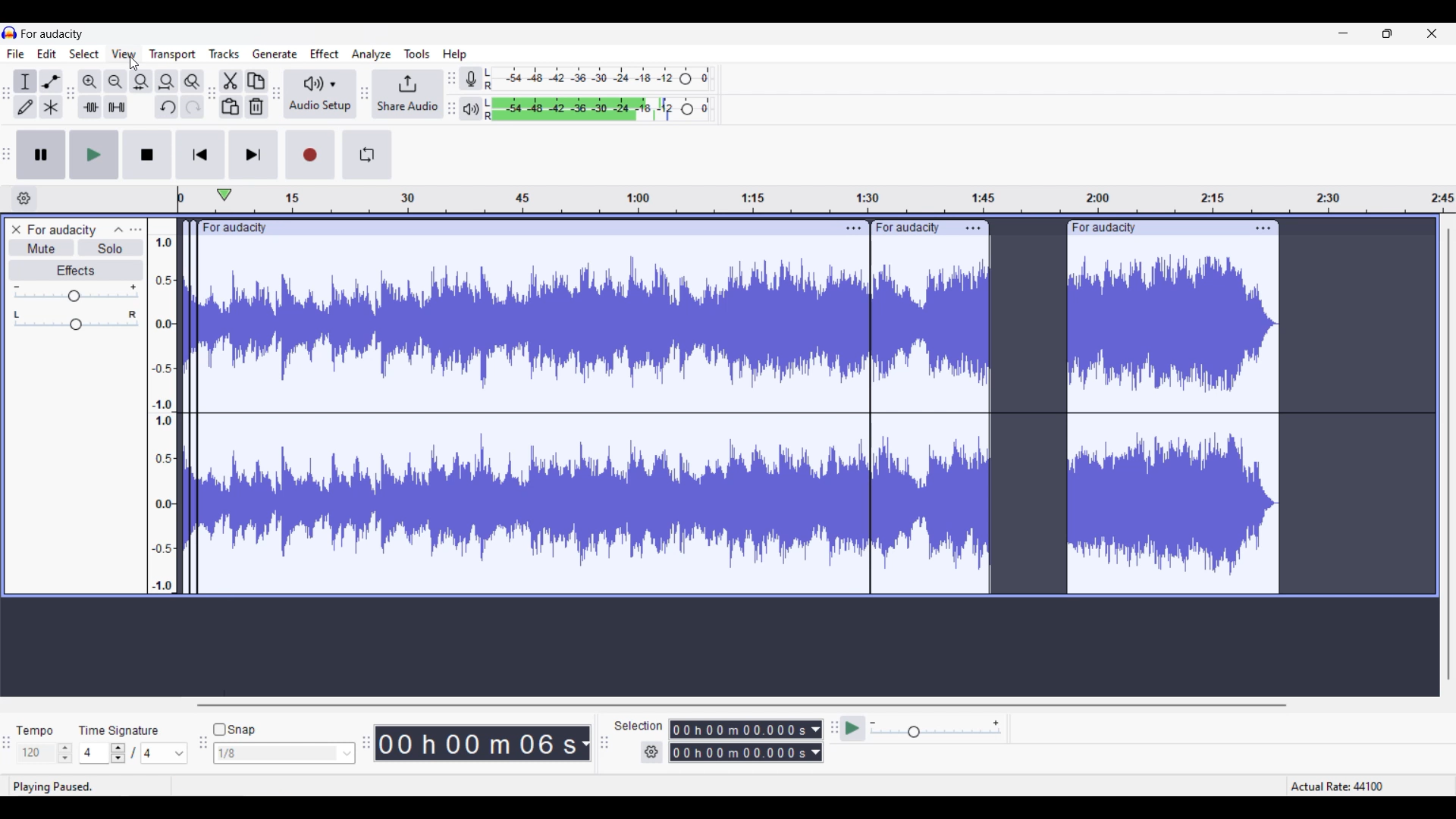  I want to click on selection, so click(639, 726).